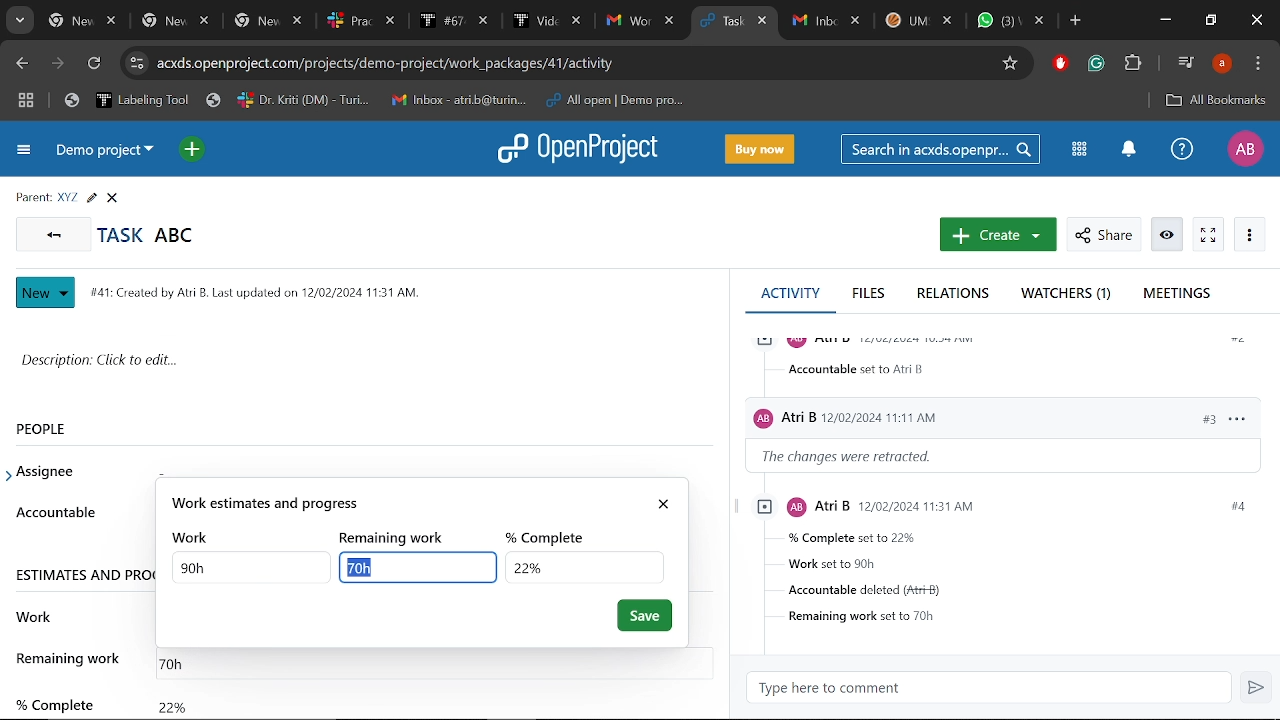 This screenshot has width=1280, height=720. Describe the element at coordinates (918, 20) in the screenshot. I see `Other tabs` at that location.